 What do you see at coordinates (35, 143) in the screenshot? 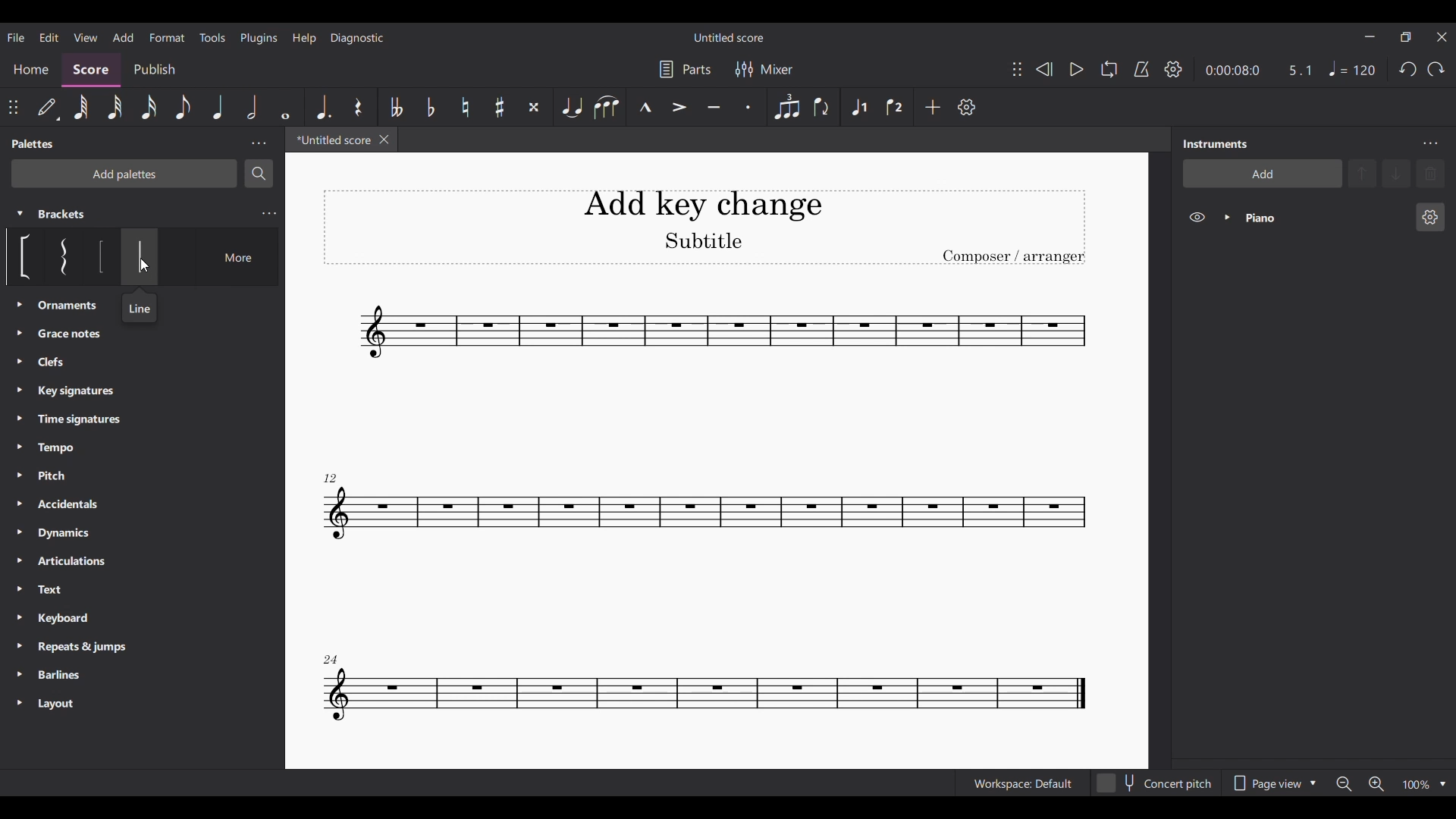
I see `Palettes title` at bounding box center [35, 143].